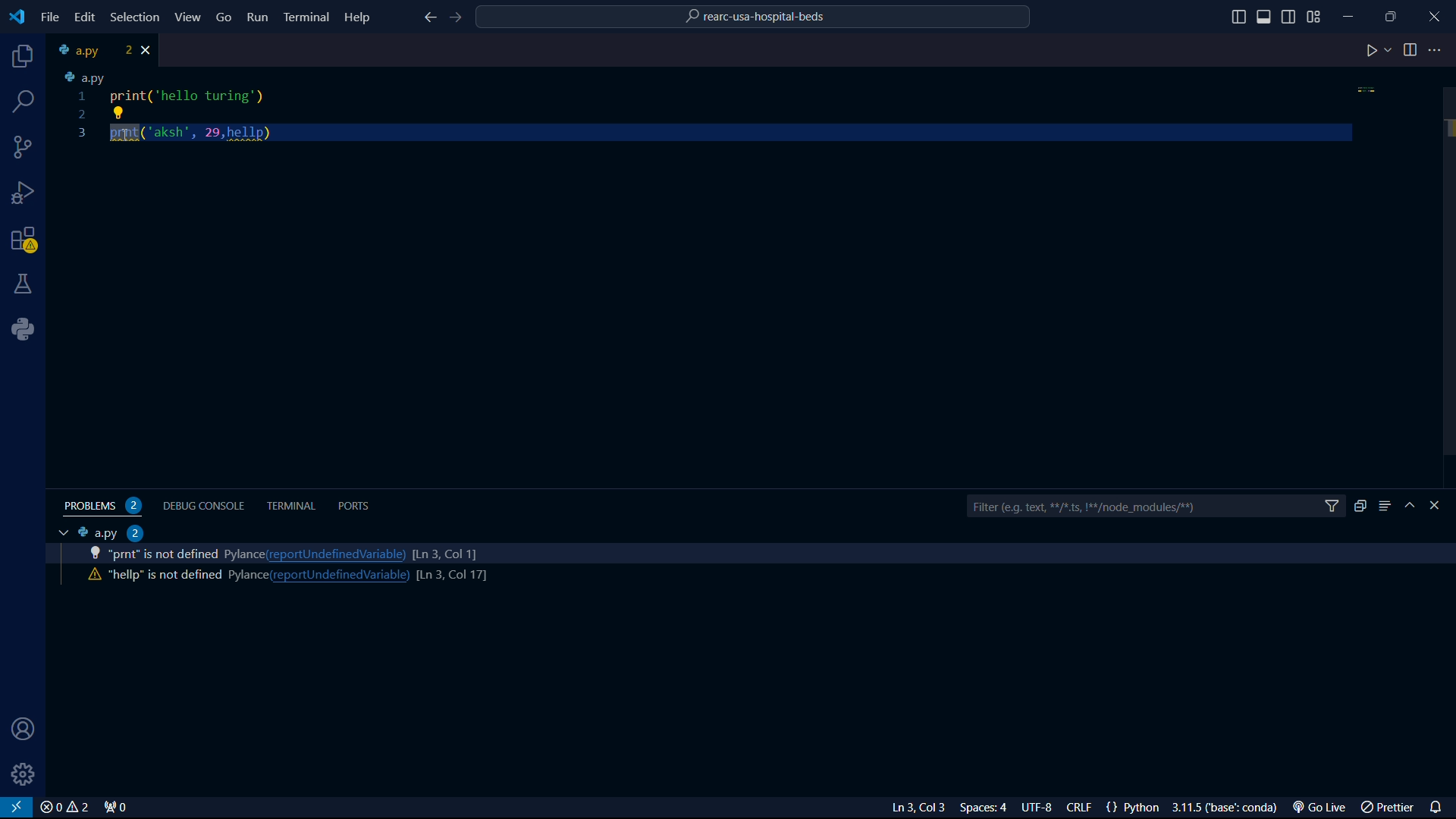 The height and width of the screenshot is (819, 1456). I want to click on Go, so click(224, 16).